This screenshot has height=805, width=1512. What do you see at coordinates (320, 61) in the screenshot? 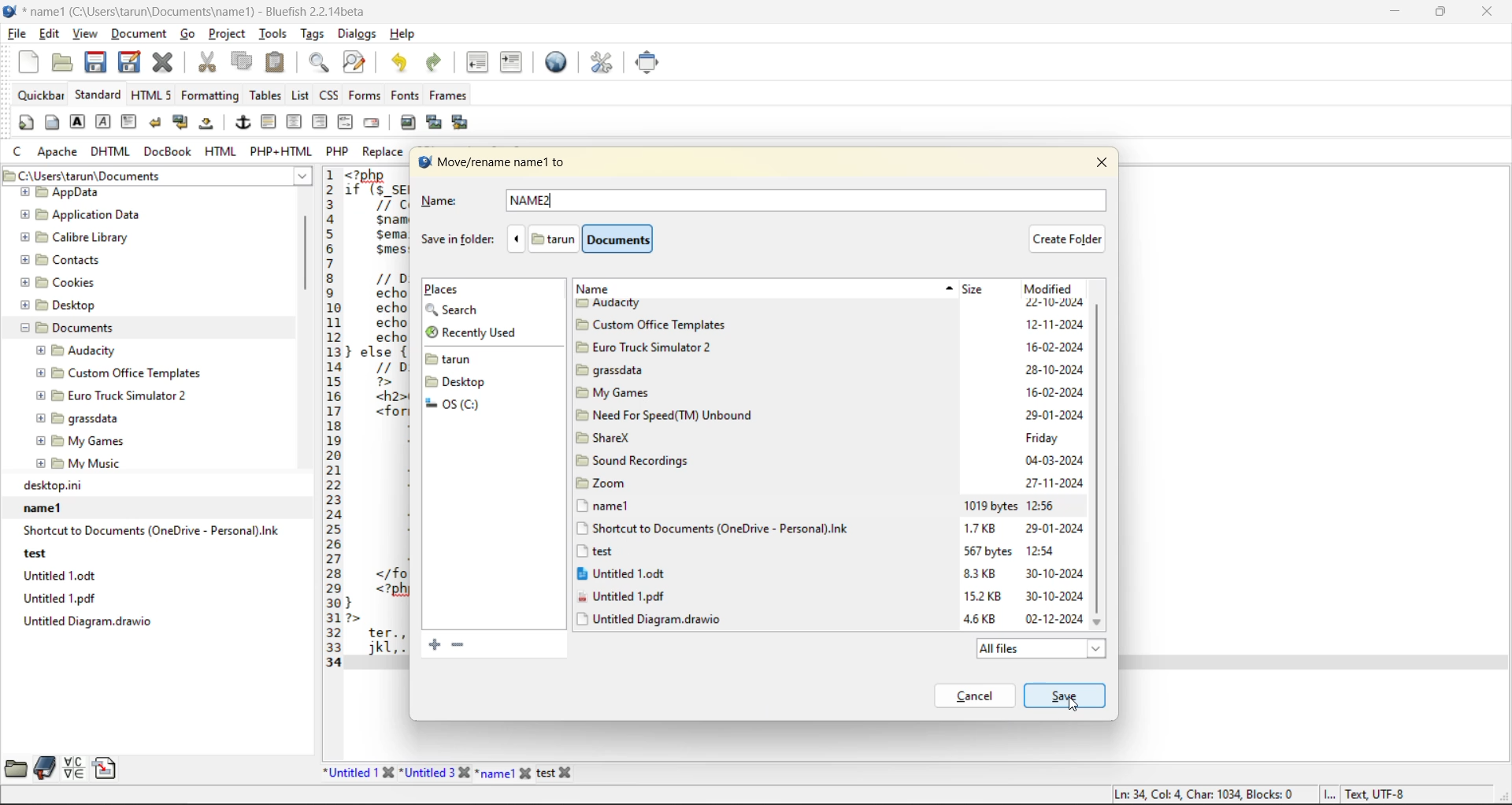
I see `find` at bounding box center [320, 61].